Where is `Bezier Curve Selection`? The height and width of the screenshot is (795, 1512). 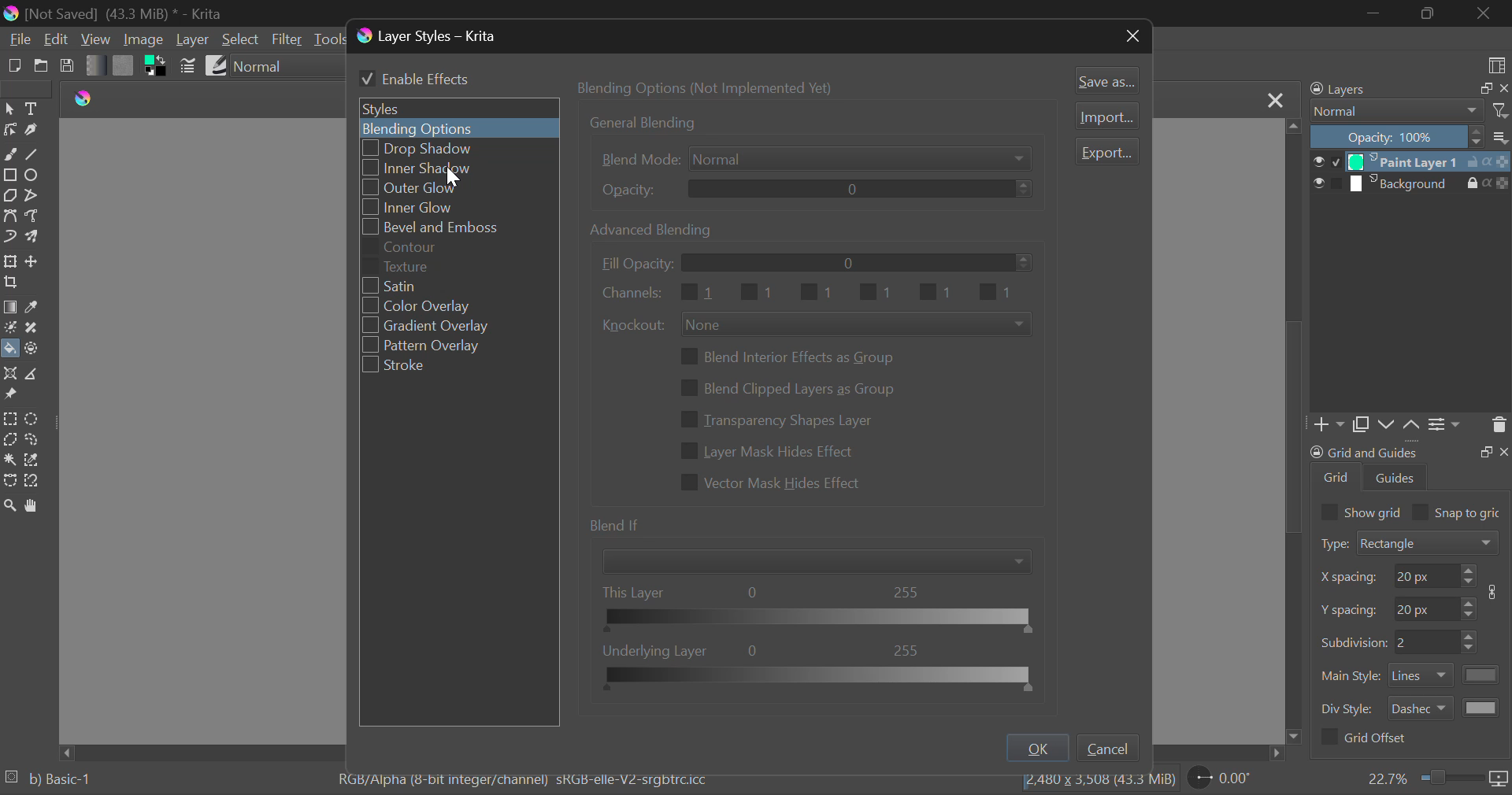 Bezier Curve Selection is located at coordinates (9, 482).